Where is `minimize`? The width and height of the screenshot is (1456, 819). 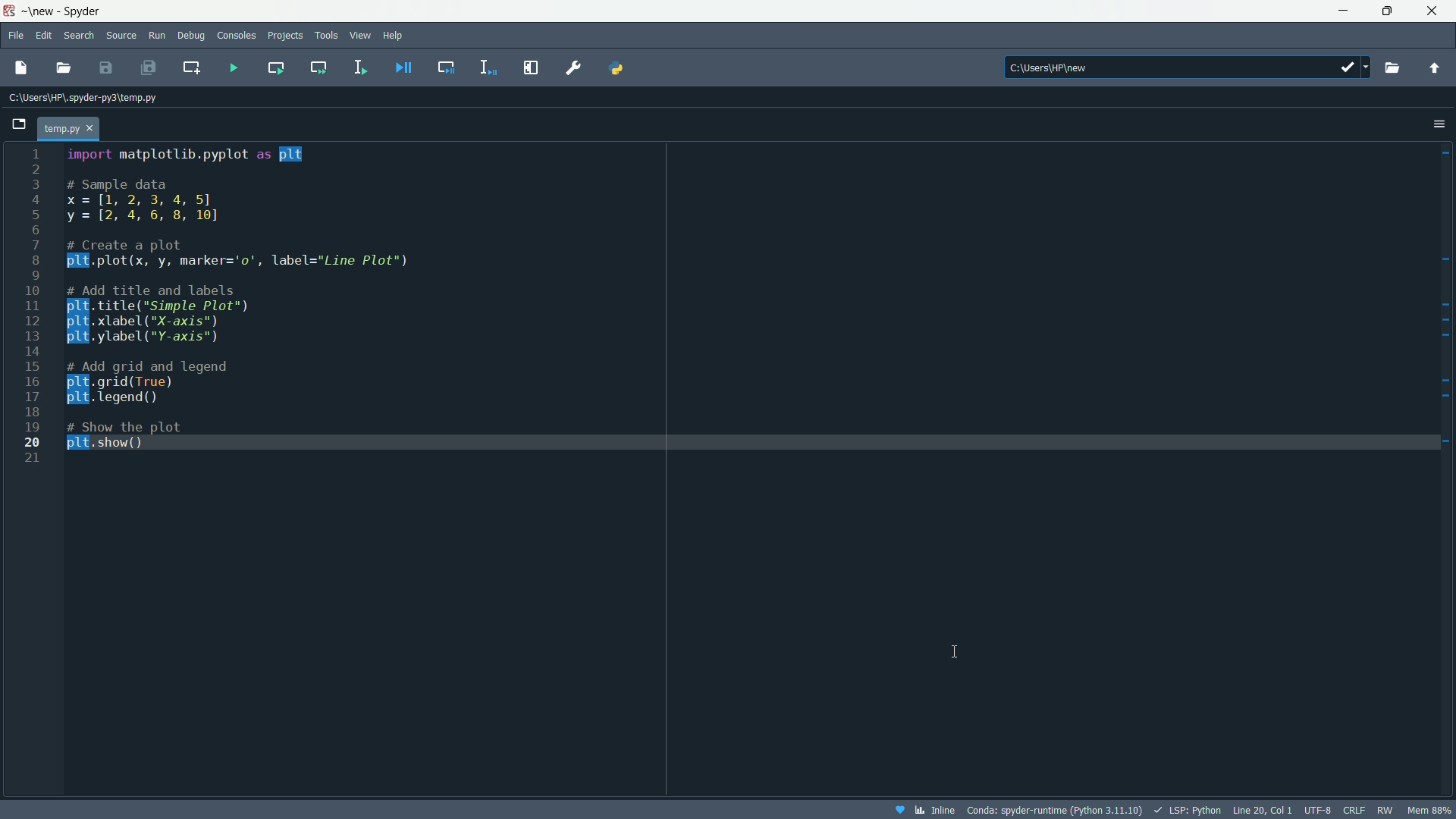
minimize is located at coordinates (1341, 11).